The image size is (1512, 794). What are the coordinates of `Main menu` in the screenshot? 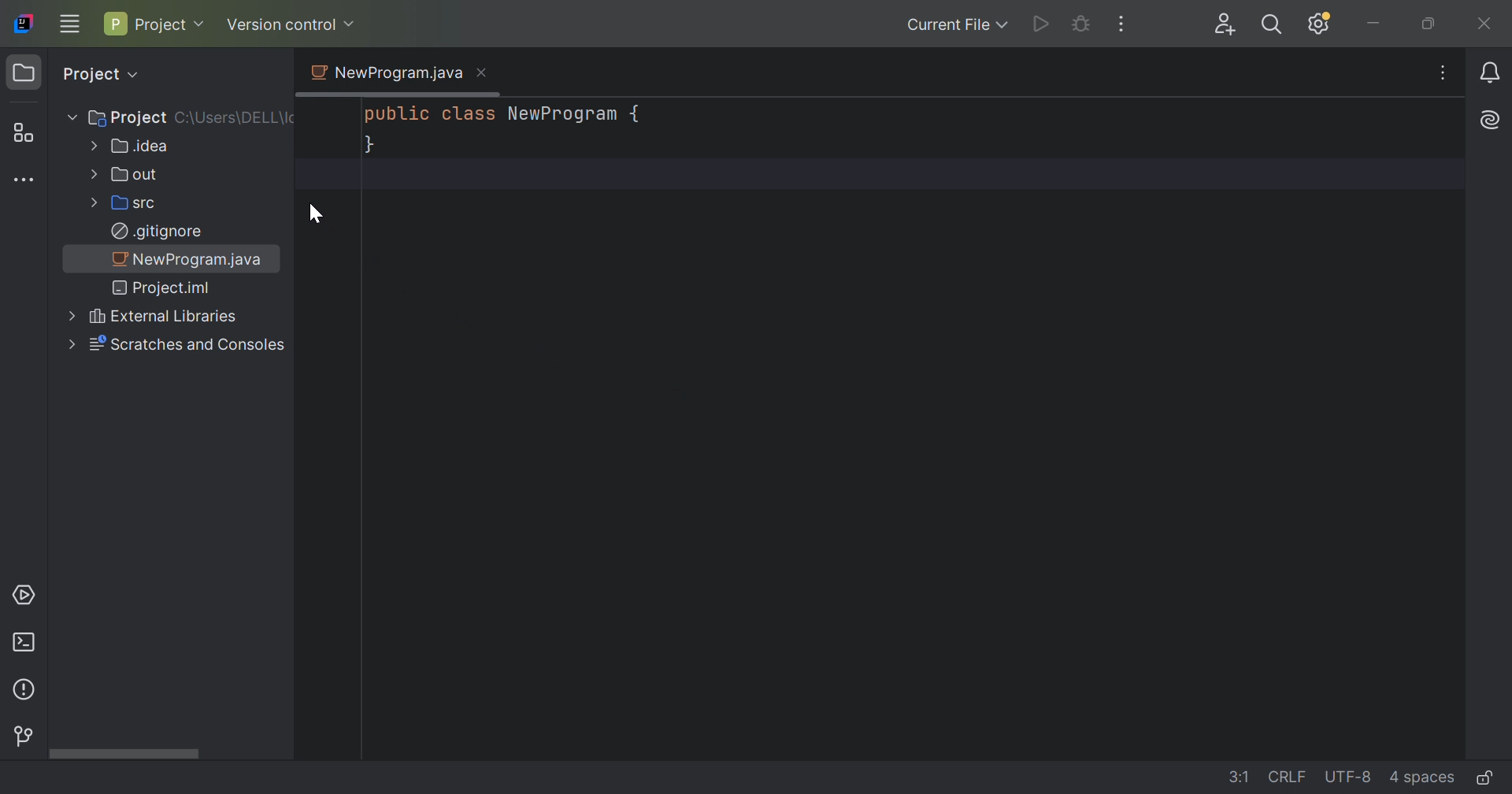 It's located at (69, 23).